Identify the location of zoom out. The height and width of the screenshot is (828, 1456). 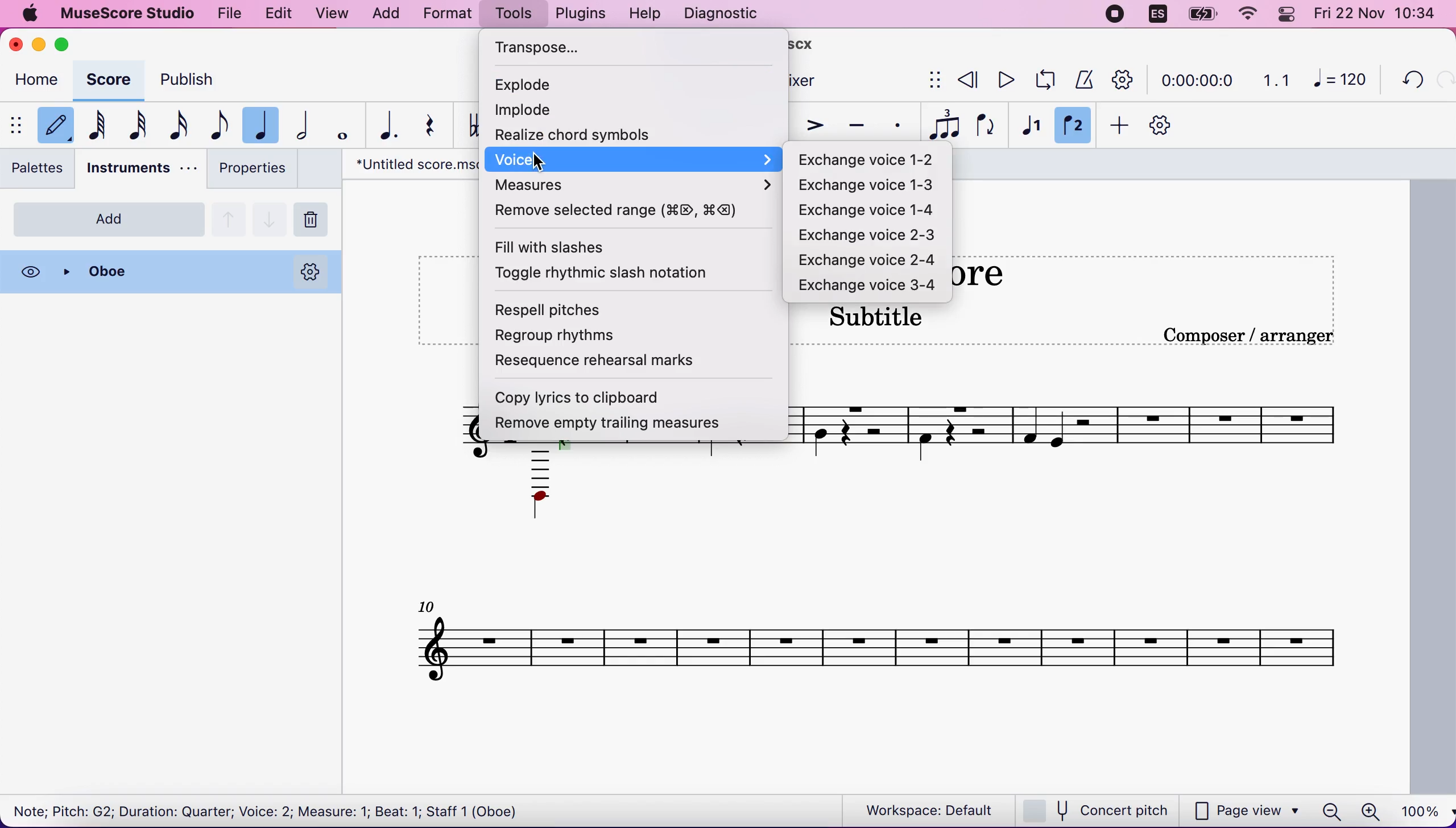
(1331, 808).